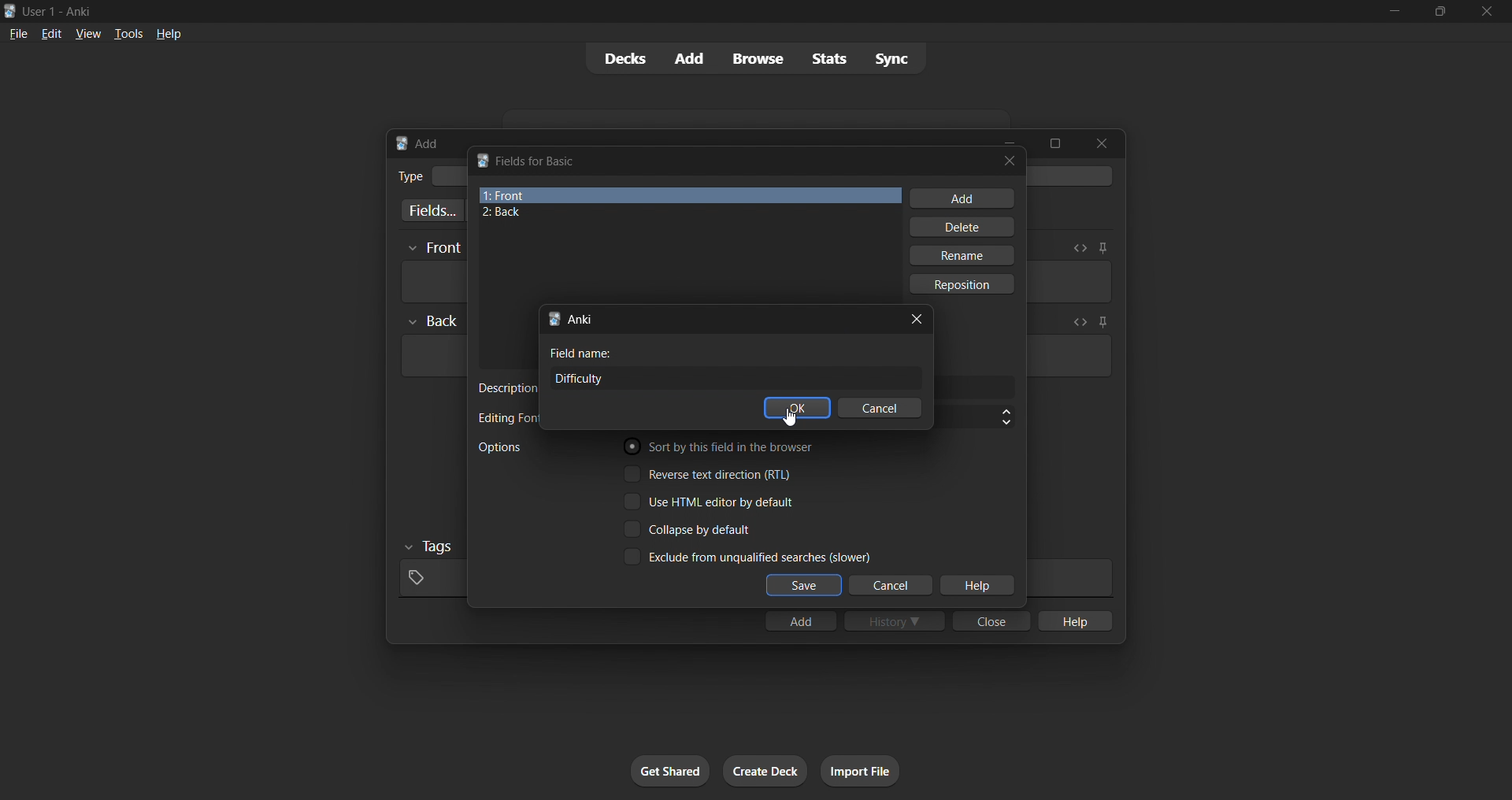  I want to click on close, so click(917, 320).